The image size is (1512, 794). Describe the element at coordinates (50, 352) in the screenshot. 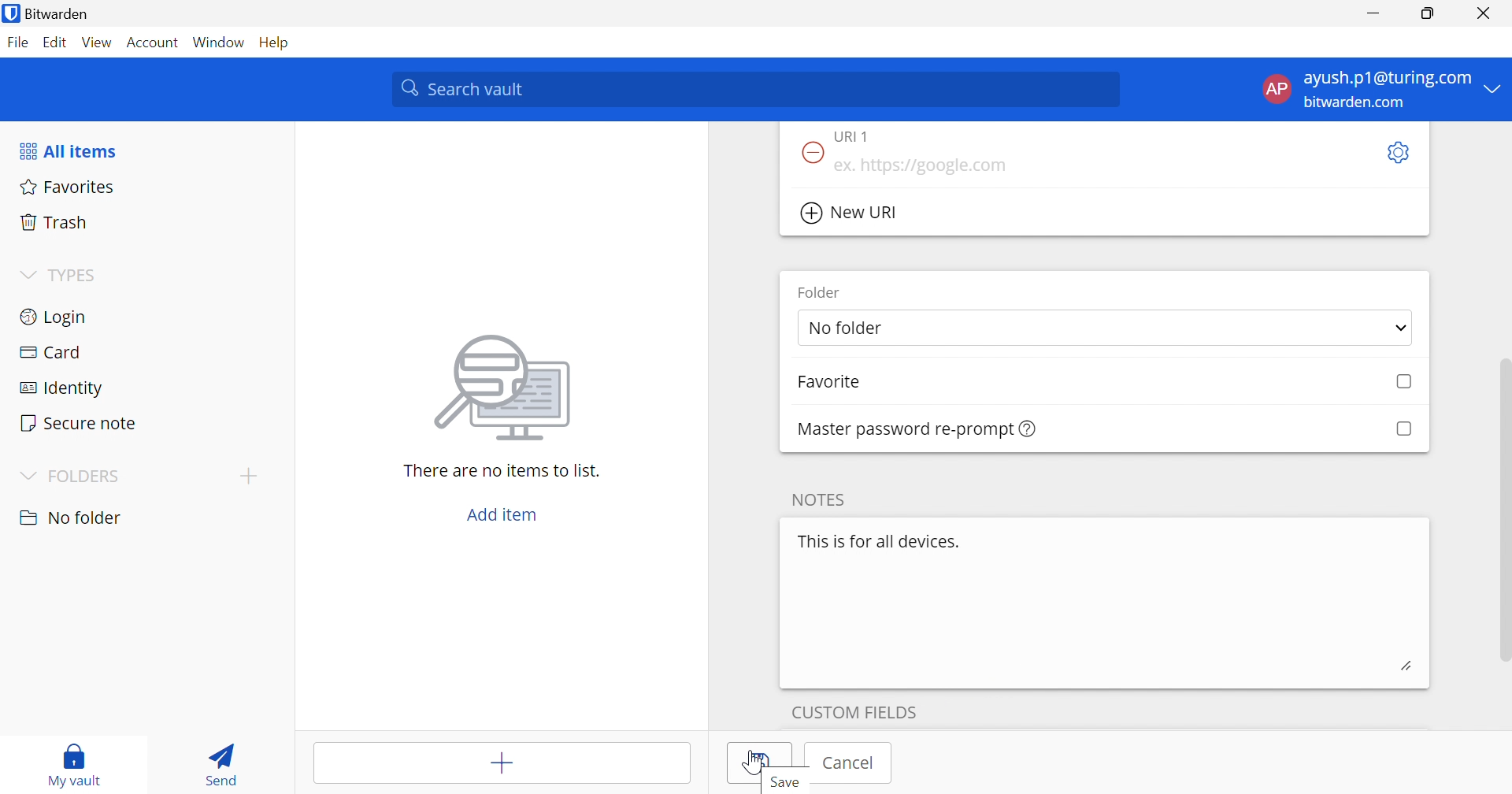

I see `Card` at that location.